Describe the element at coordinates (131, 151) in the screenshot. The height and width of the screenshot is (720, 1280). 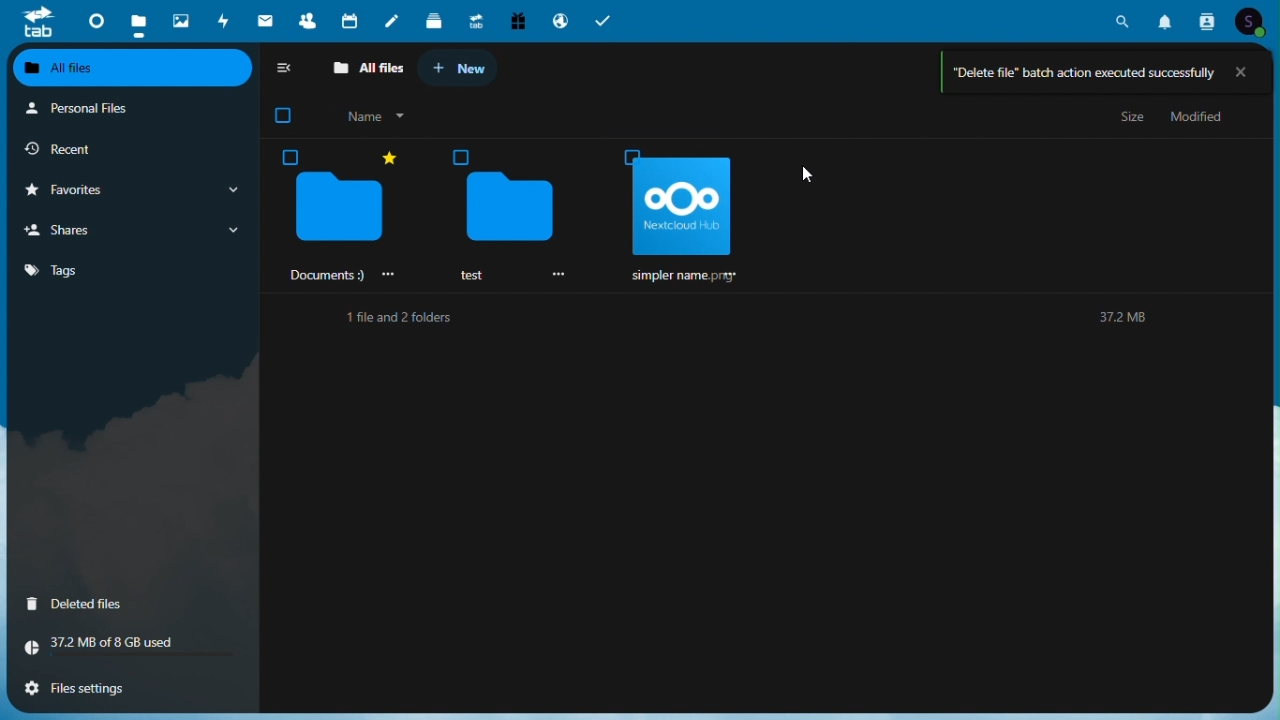
I see `Recent` at that location.